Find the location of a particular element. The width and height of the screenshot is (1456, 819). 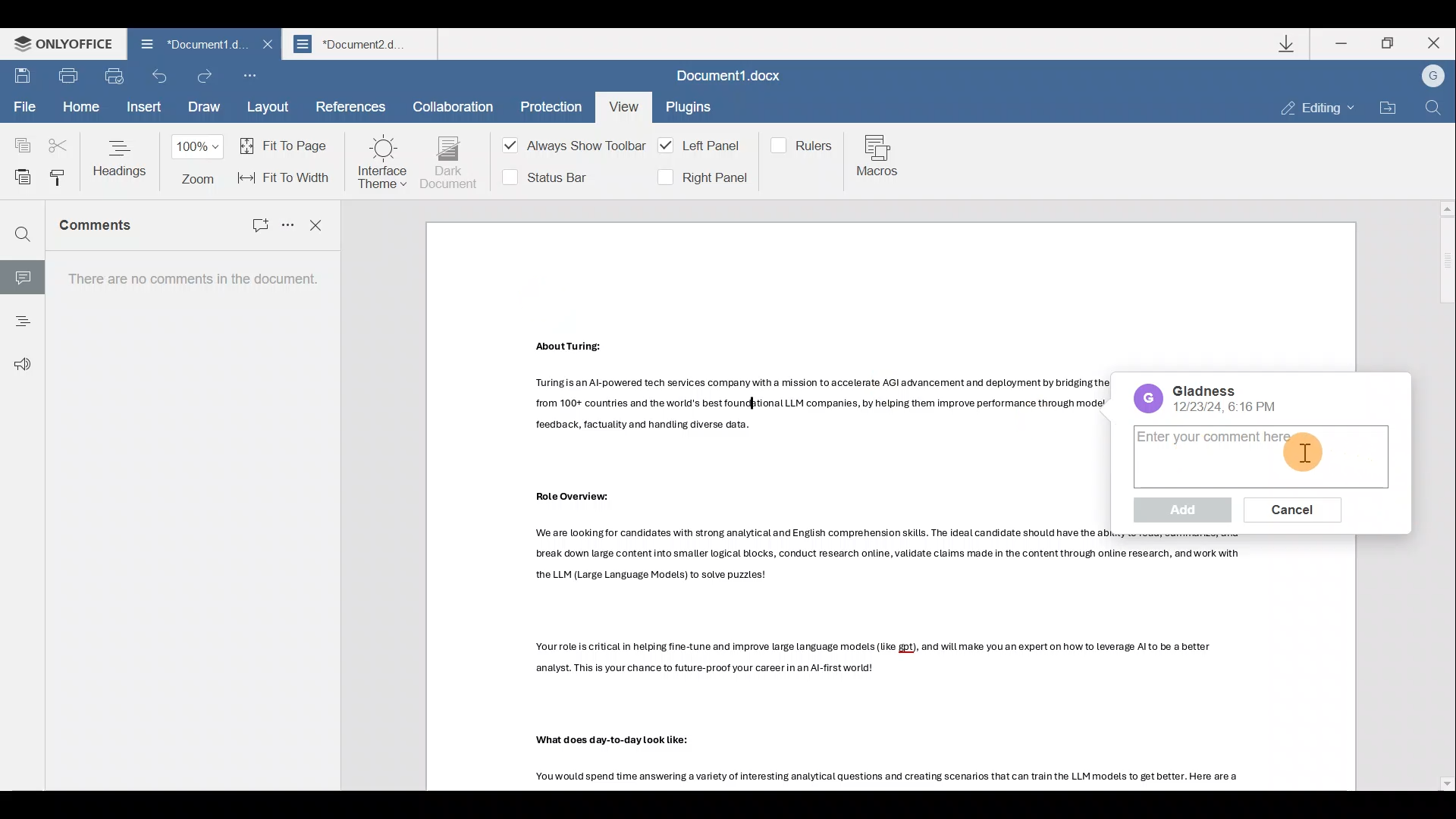

Home is located at coordinates (79, 107).